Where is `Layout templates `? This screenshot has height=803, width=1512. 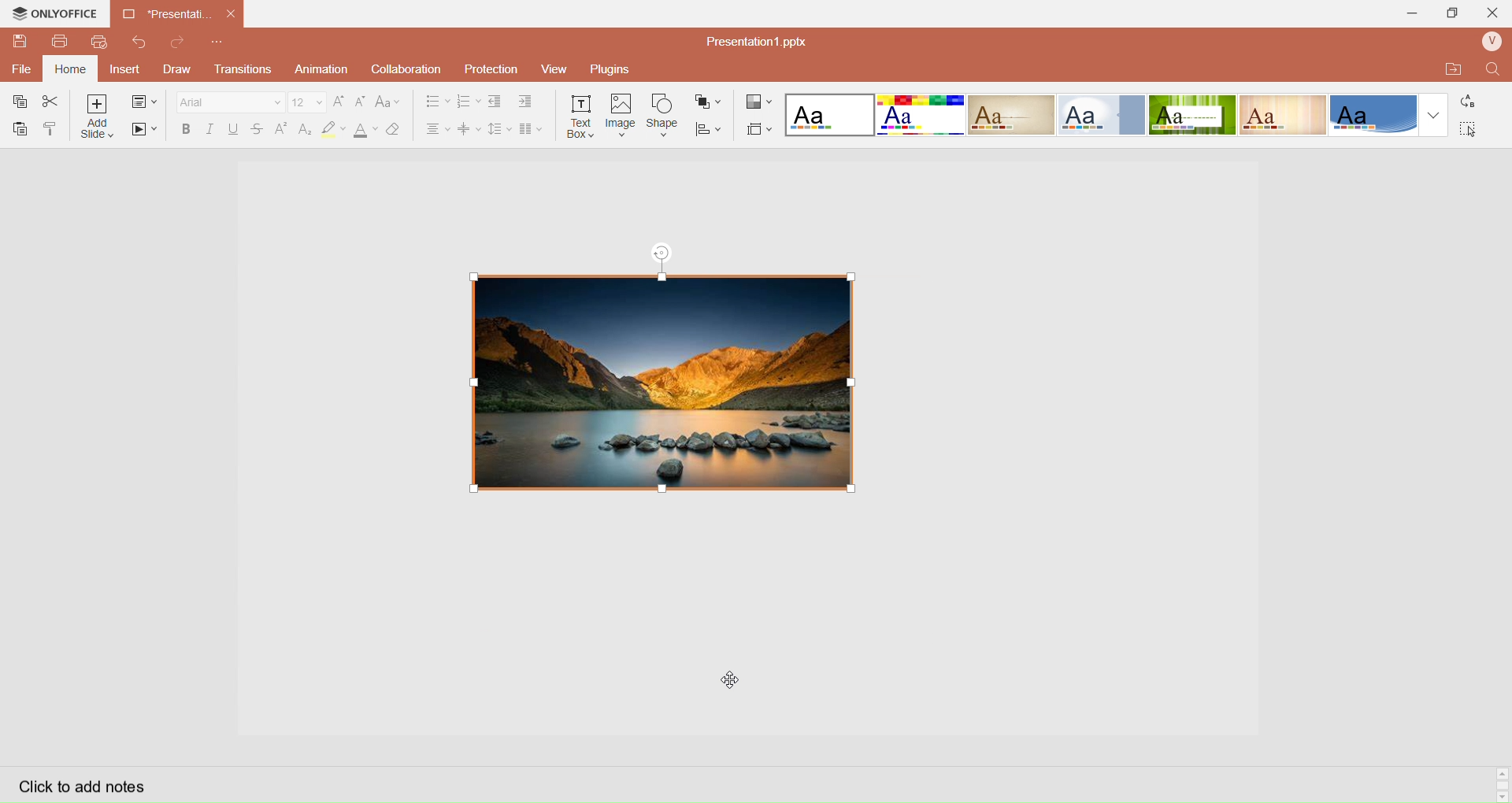 Layout templates  is located at coordinates (1118, 115).